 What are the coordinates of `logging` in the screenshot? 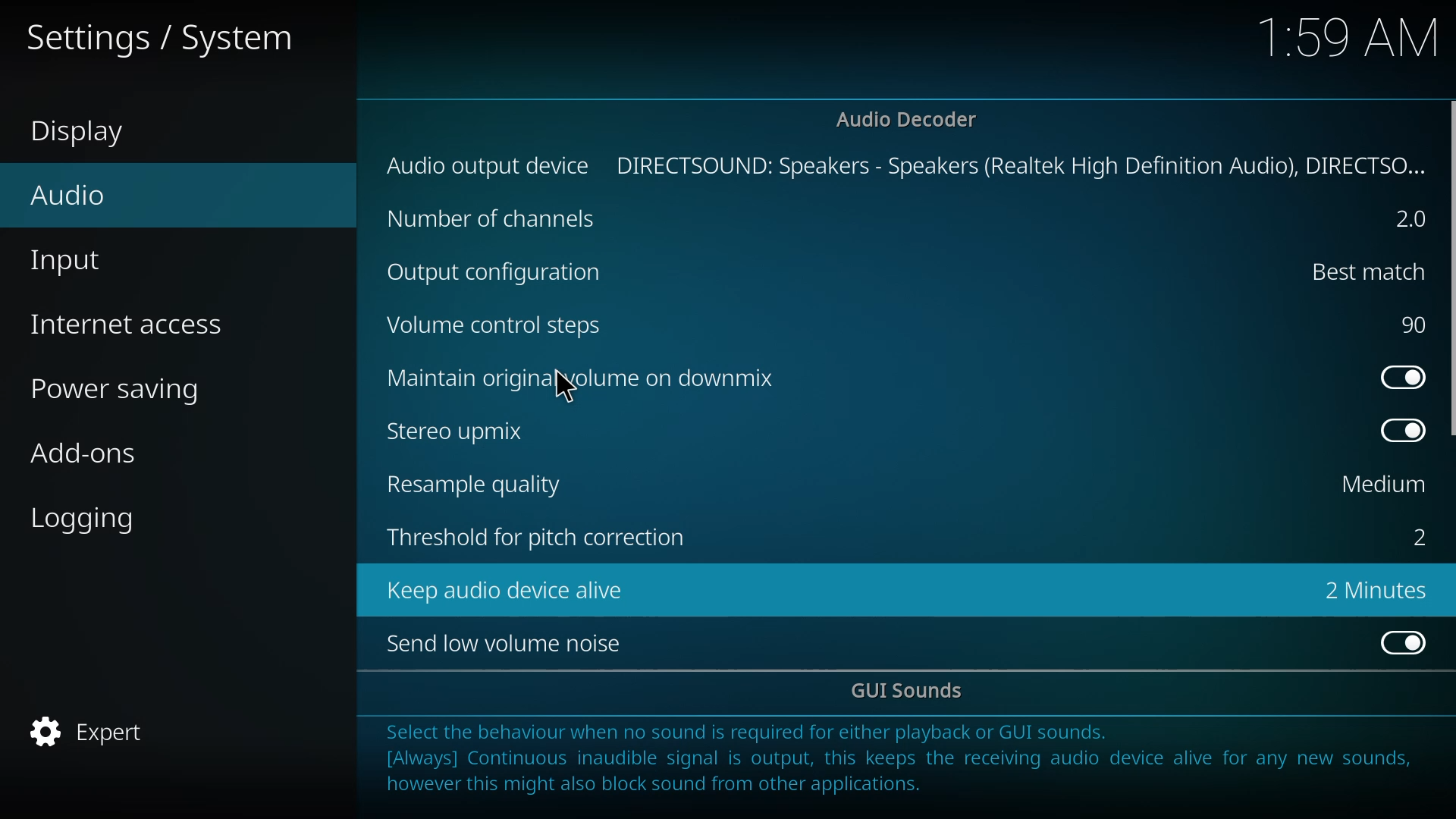 It's located at (88, 518).